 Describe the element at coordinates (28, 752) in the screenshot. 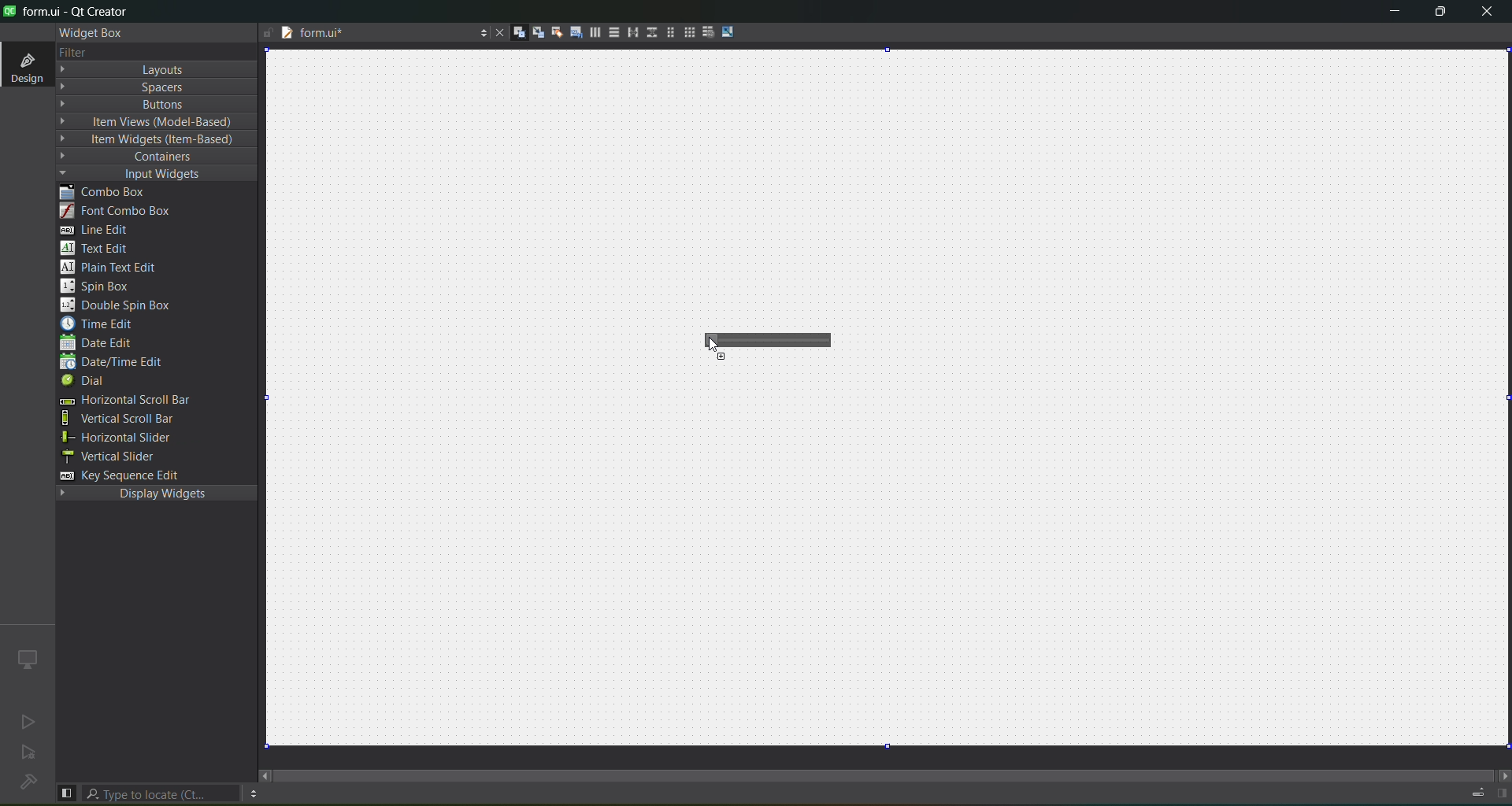

I see `no active project` at that location.